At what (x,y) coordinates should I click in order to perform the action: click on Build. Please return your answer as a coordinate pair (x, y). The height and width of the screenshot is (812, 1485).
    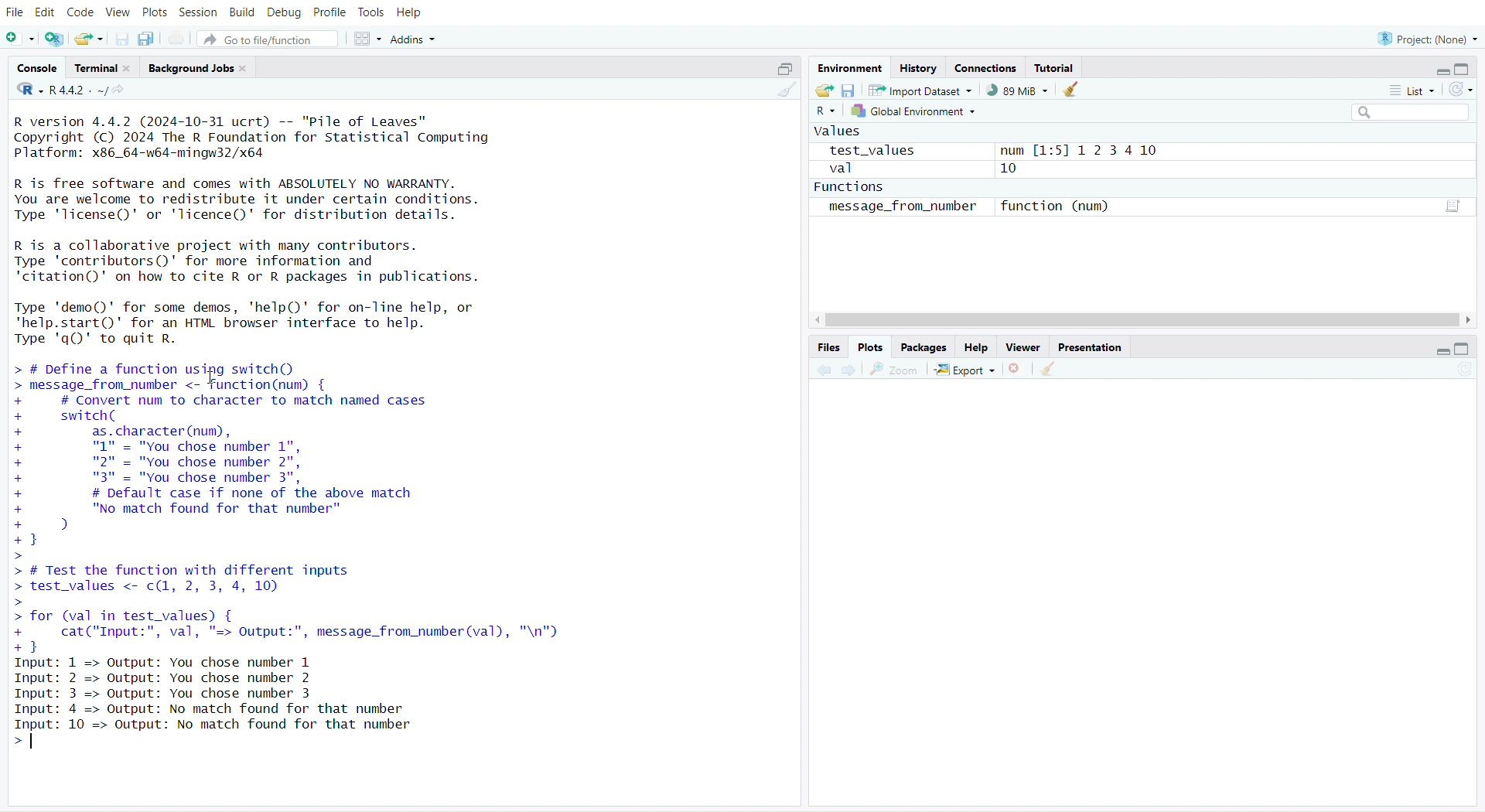
    Looking at the image, I should click on (244, 12).